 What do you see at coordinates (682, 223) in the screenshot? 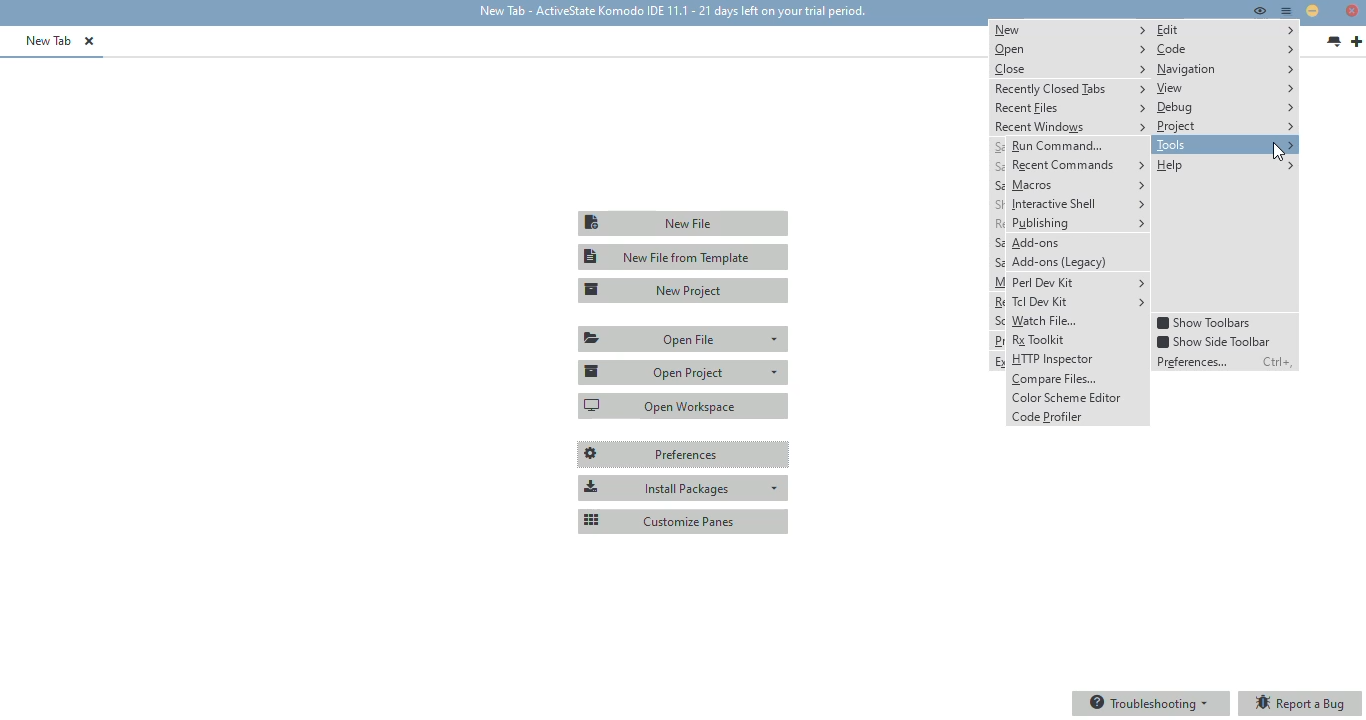
I see `new file` at bounding box center [682, 223].